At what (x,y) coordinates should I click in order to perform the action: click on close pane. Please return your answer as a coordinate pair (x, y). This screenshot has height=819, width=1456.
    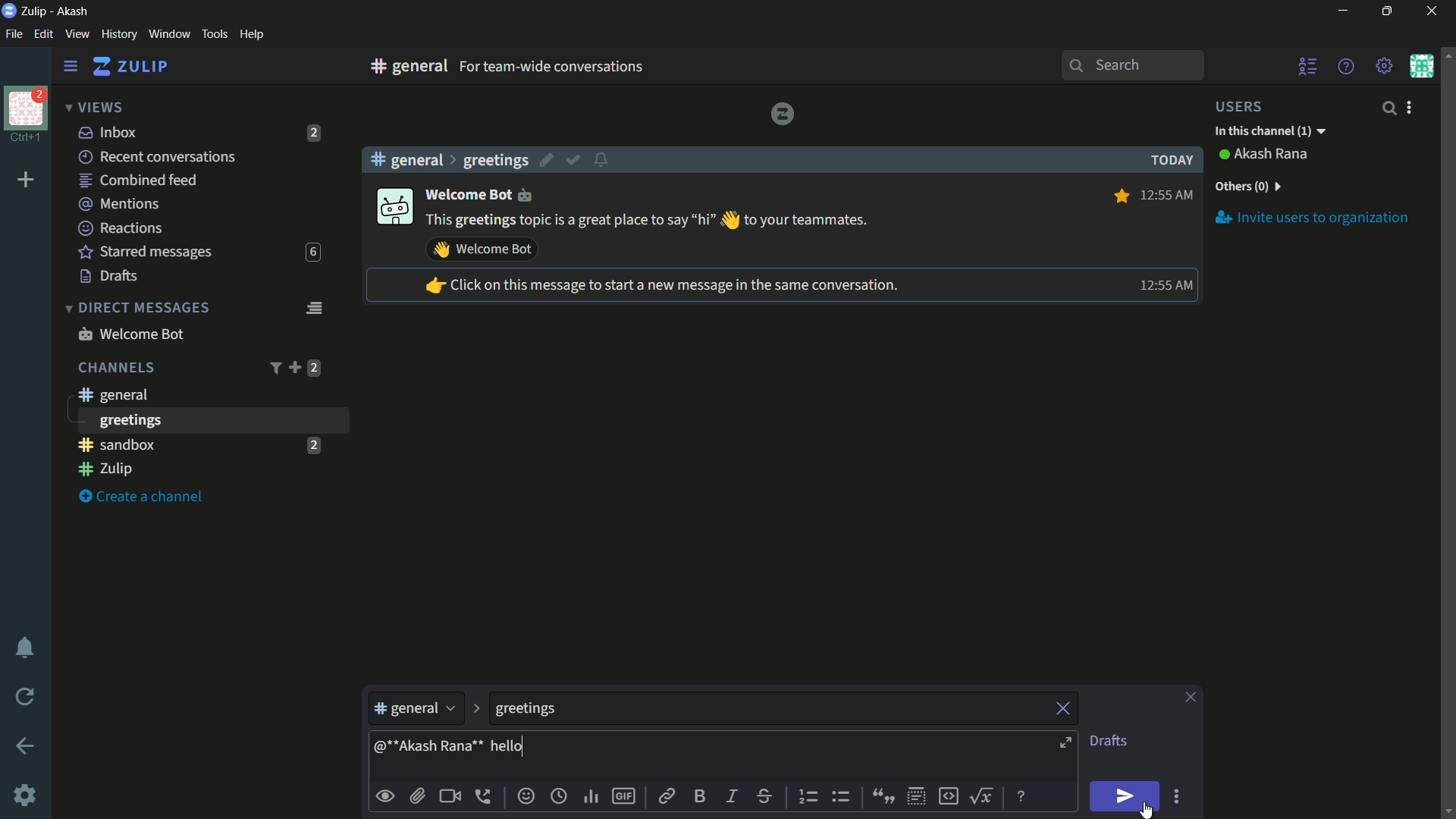
    Looking at the image, I should click on (1191, 698).